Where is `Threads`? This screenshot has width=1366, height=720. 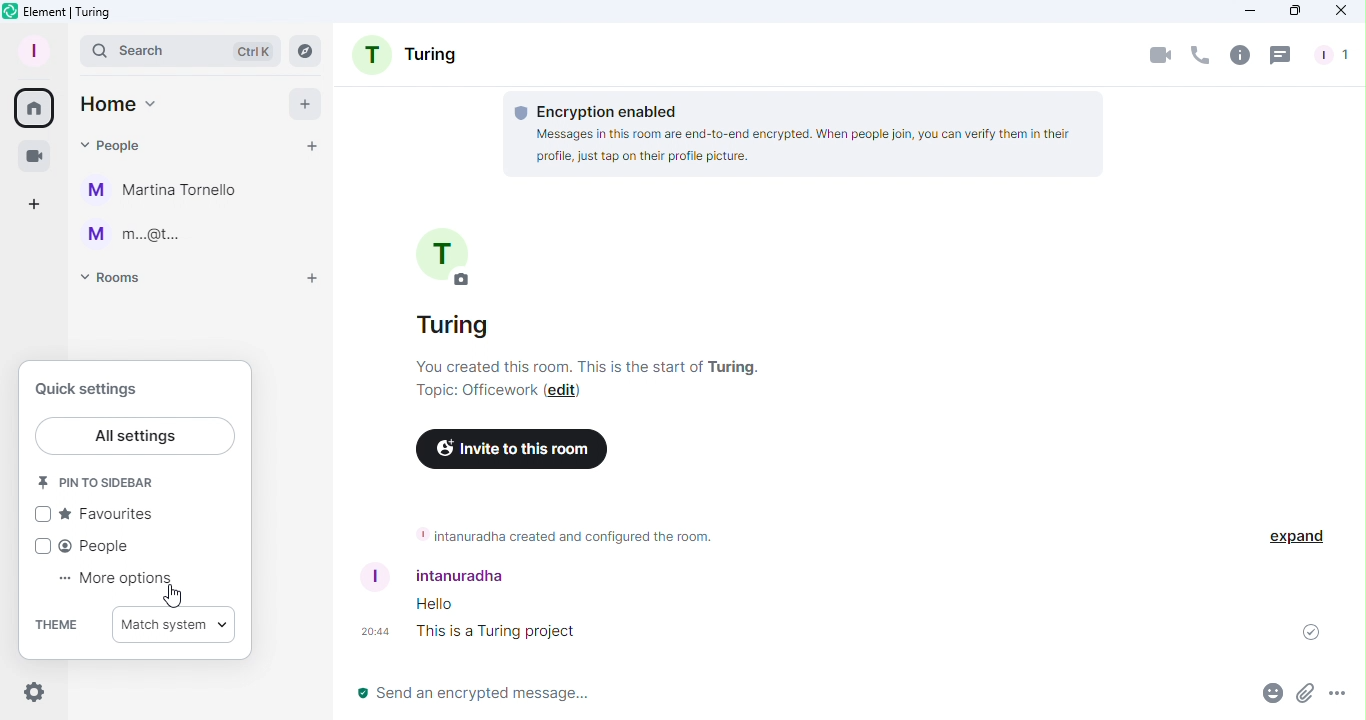
Threads is located at coordinates (1281, 55).